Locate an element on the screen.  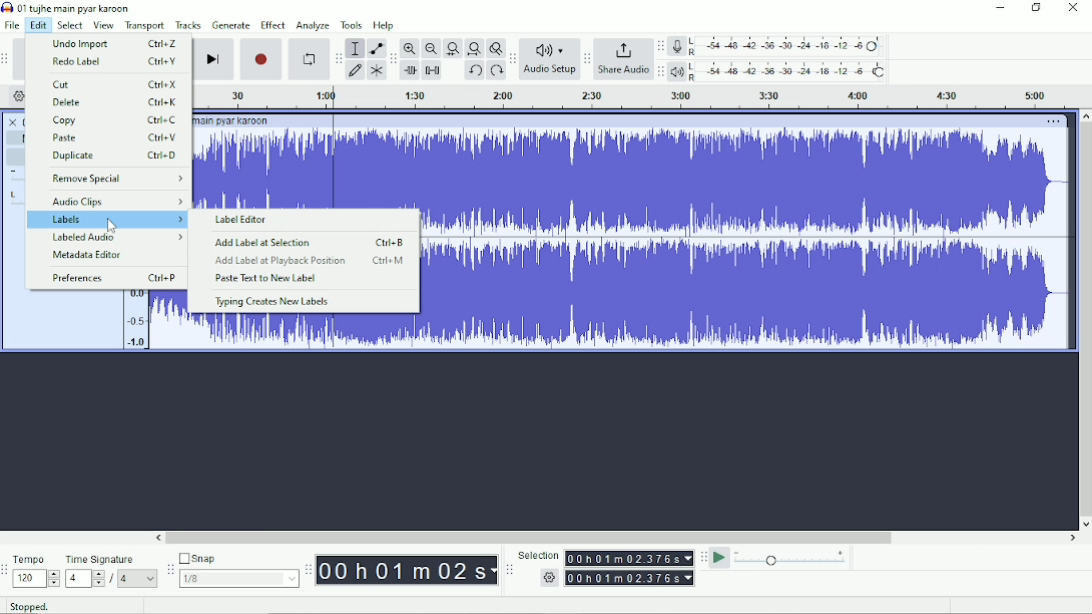
Analyze is located at coordinates (314, 26).